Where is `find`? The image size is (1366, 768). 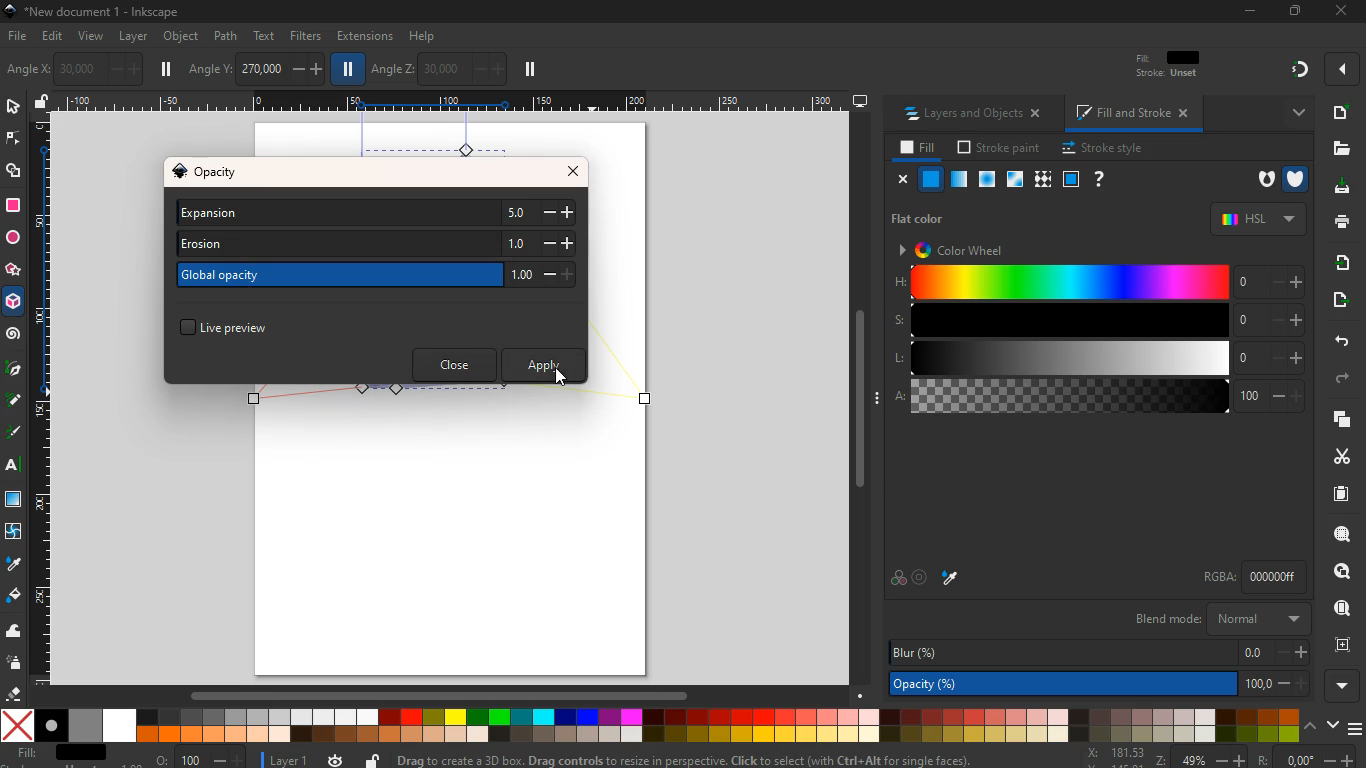
find is located at coordinates (1343, 571).